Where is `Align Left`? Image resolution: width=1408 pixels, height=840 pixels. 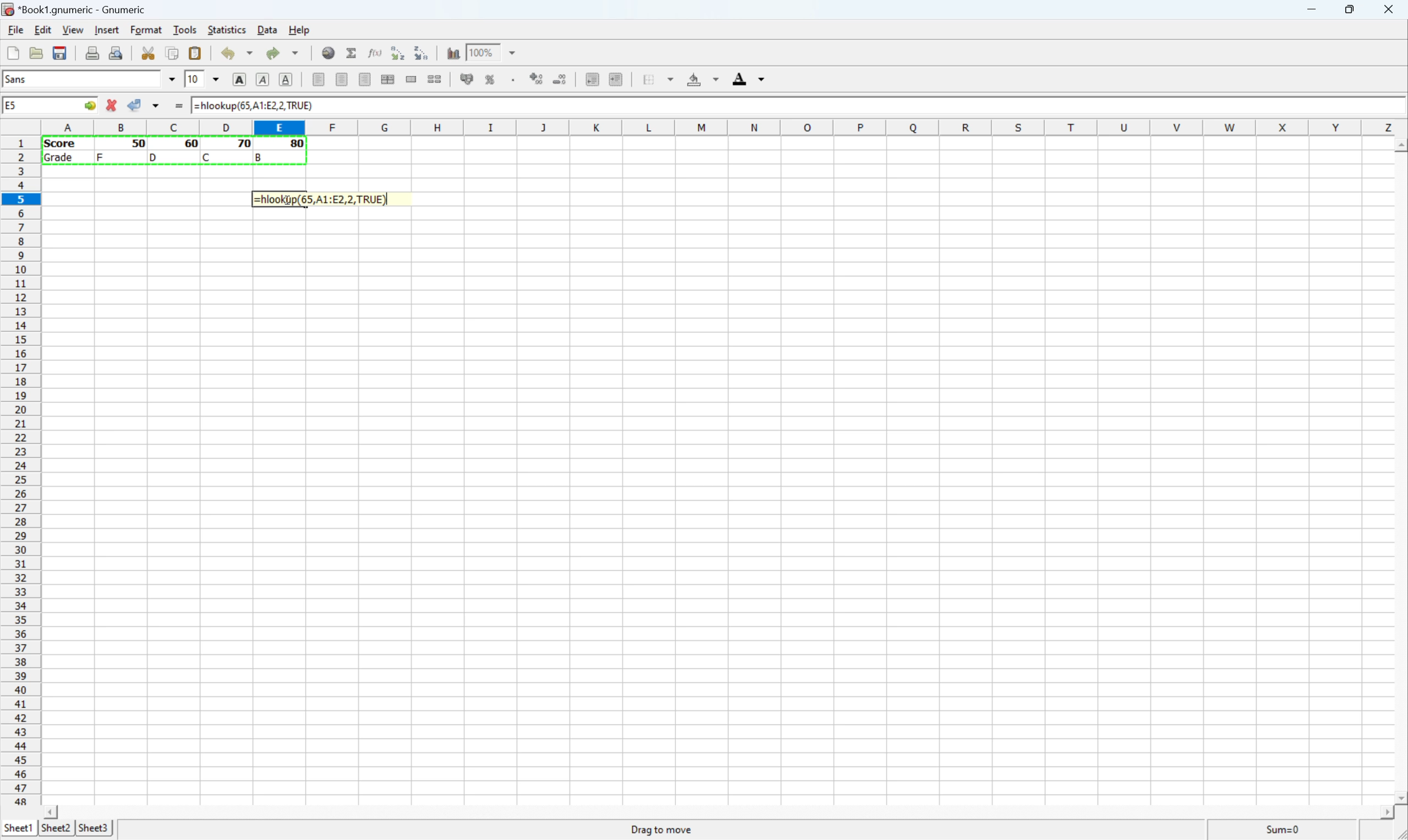
Align Left is located at coordinates (236, 80).